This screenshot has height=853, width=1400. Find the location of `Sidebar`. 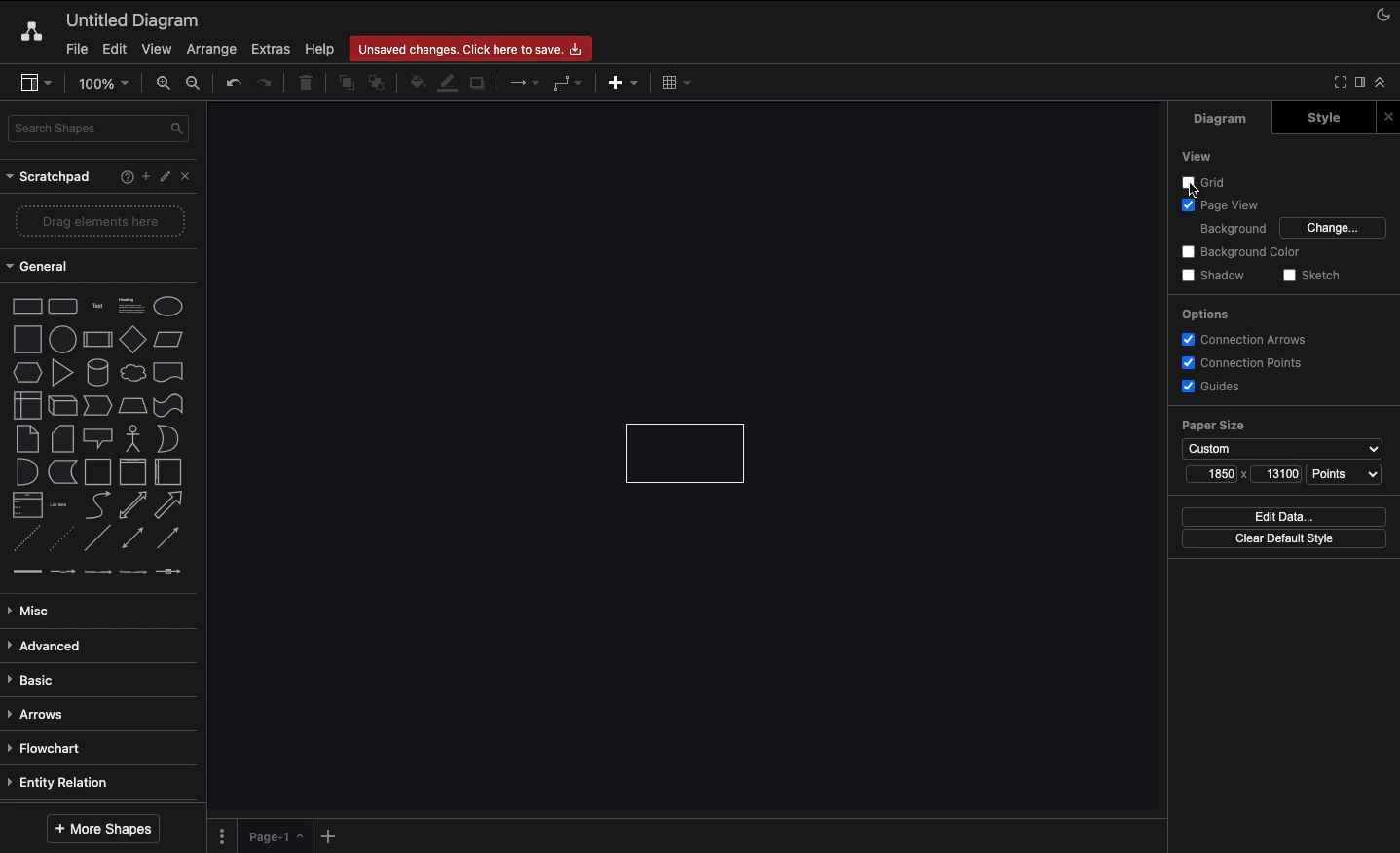

Sidebar is located at coordinates (35, 83).